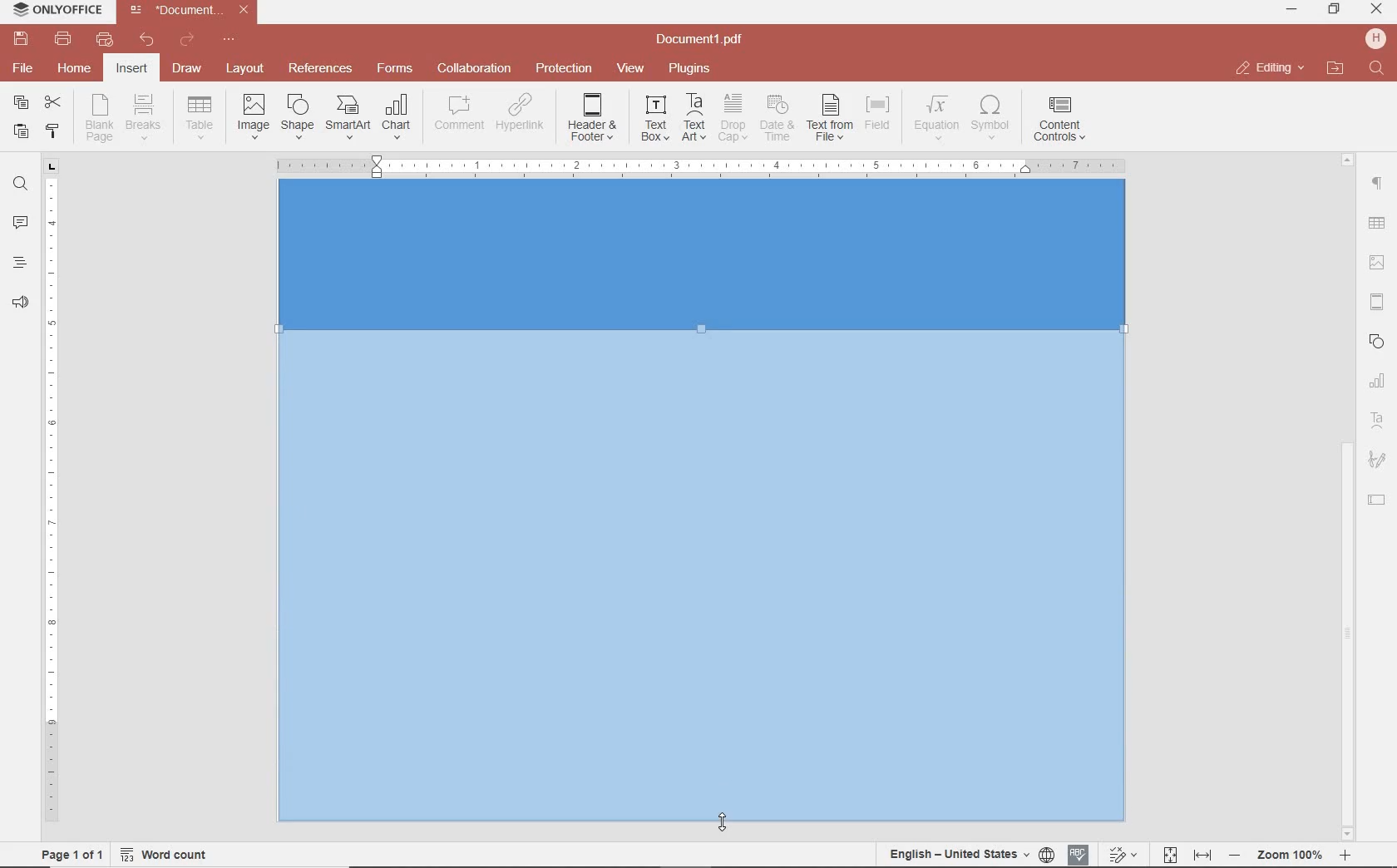  Describe the element at coordinates (1375, 224) in the screenshot. I see `` at that location.